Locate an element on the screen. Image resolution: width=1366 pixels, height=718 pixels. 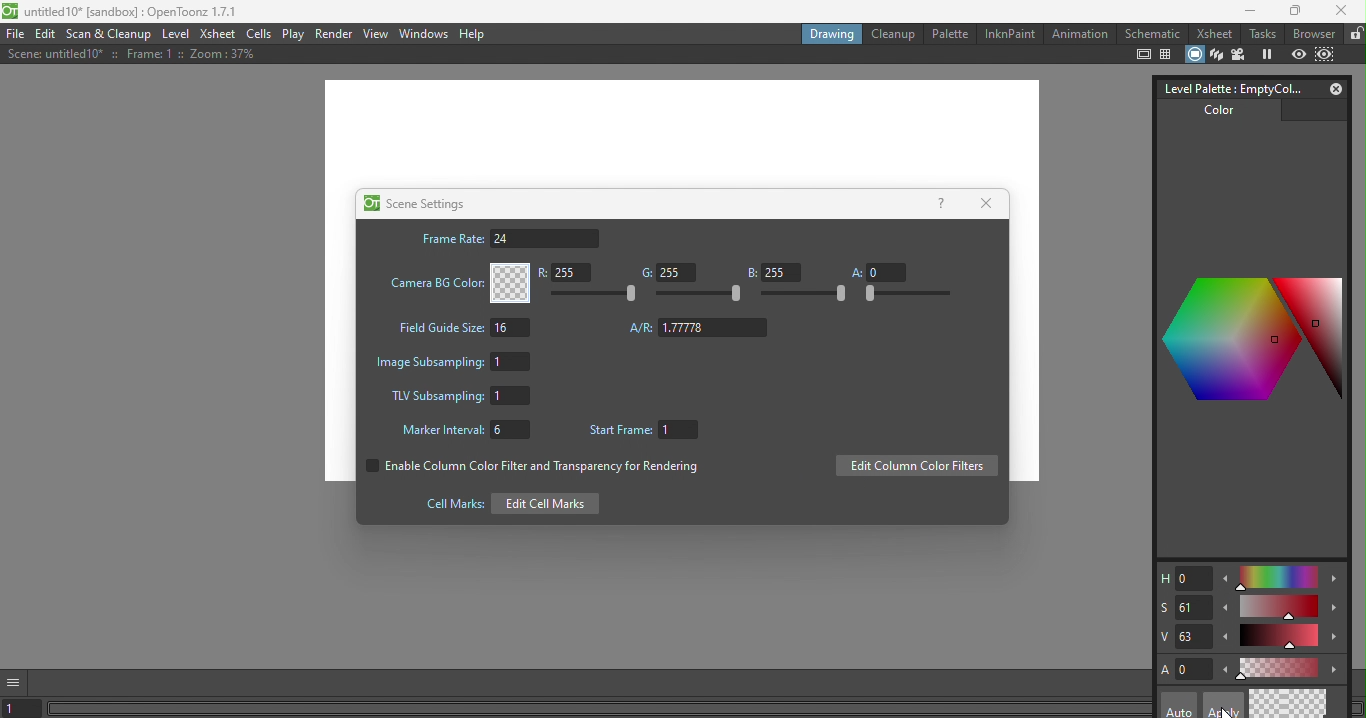
Slide bar is located at coordinates (1277, 578).